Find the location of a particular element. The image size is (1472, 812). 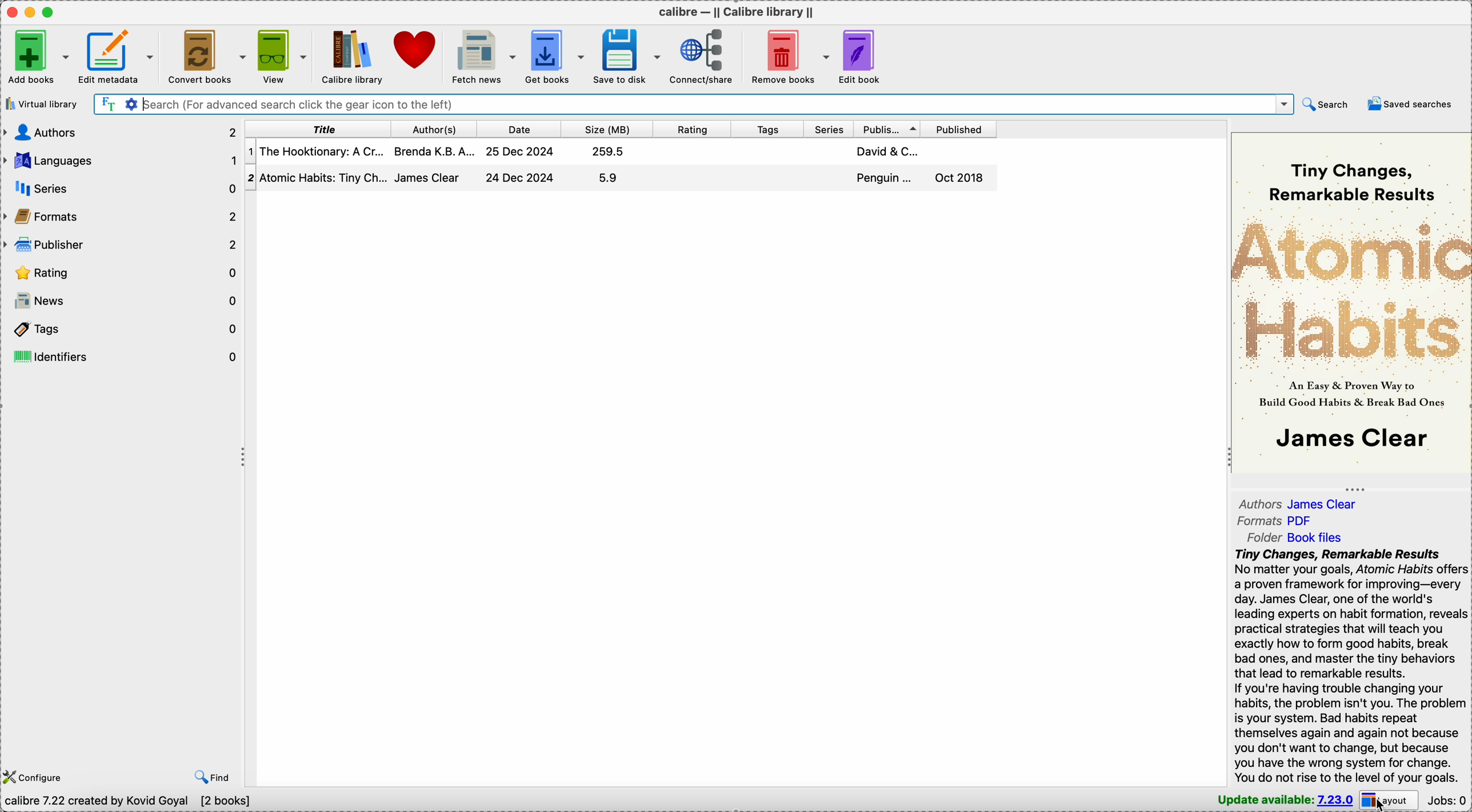

authors is located at coordinates (121, 132).